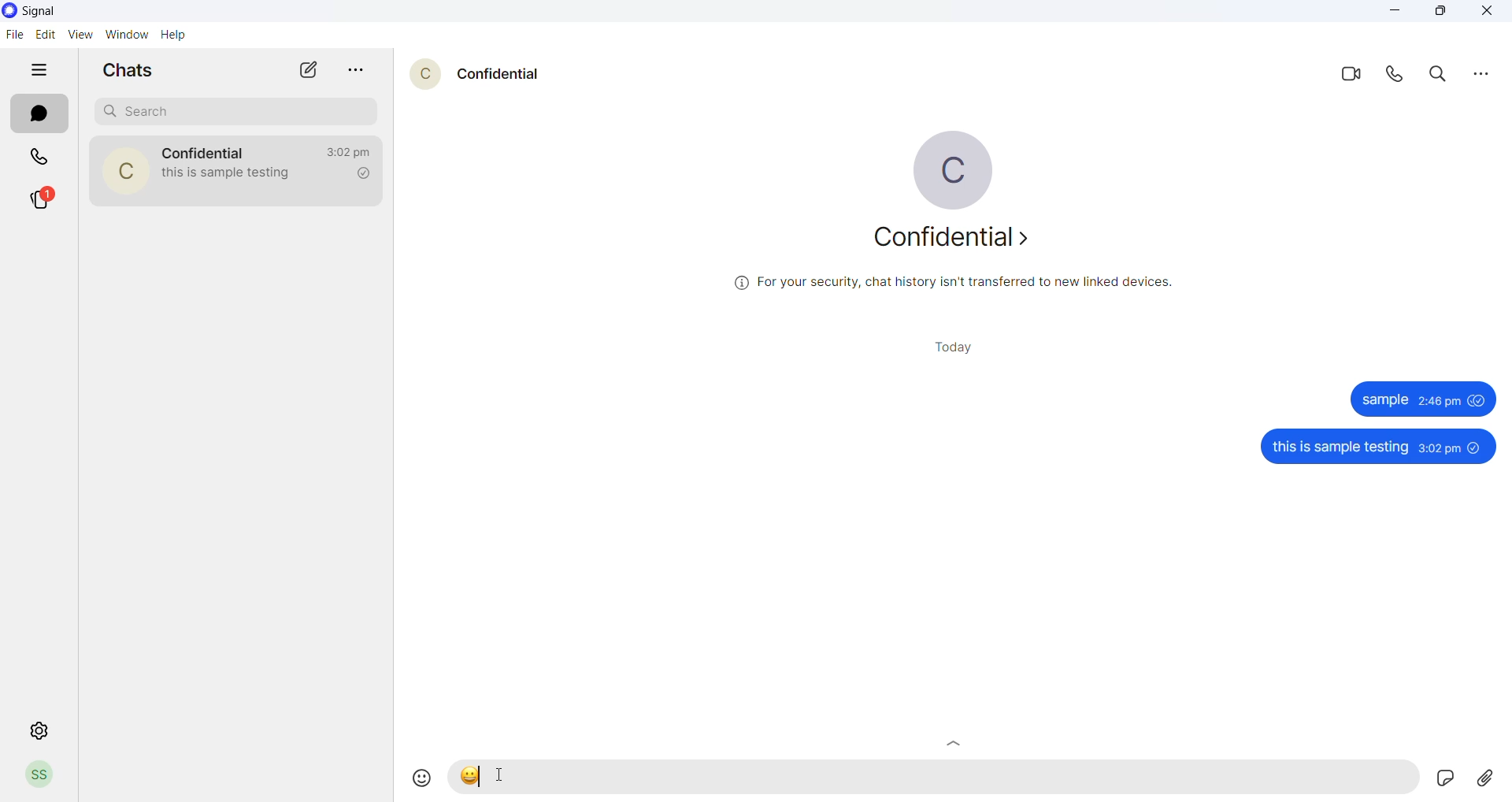 The width and height of the screenshot is (1512, 802). I want to click on profile picture, so click(960, 171).